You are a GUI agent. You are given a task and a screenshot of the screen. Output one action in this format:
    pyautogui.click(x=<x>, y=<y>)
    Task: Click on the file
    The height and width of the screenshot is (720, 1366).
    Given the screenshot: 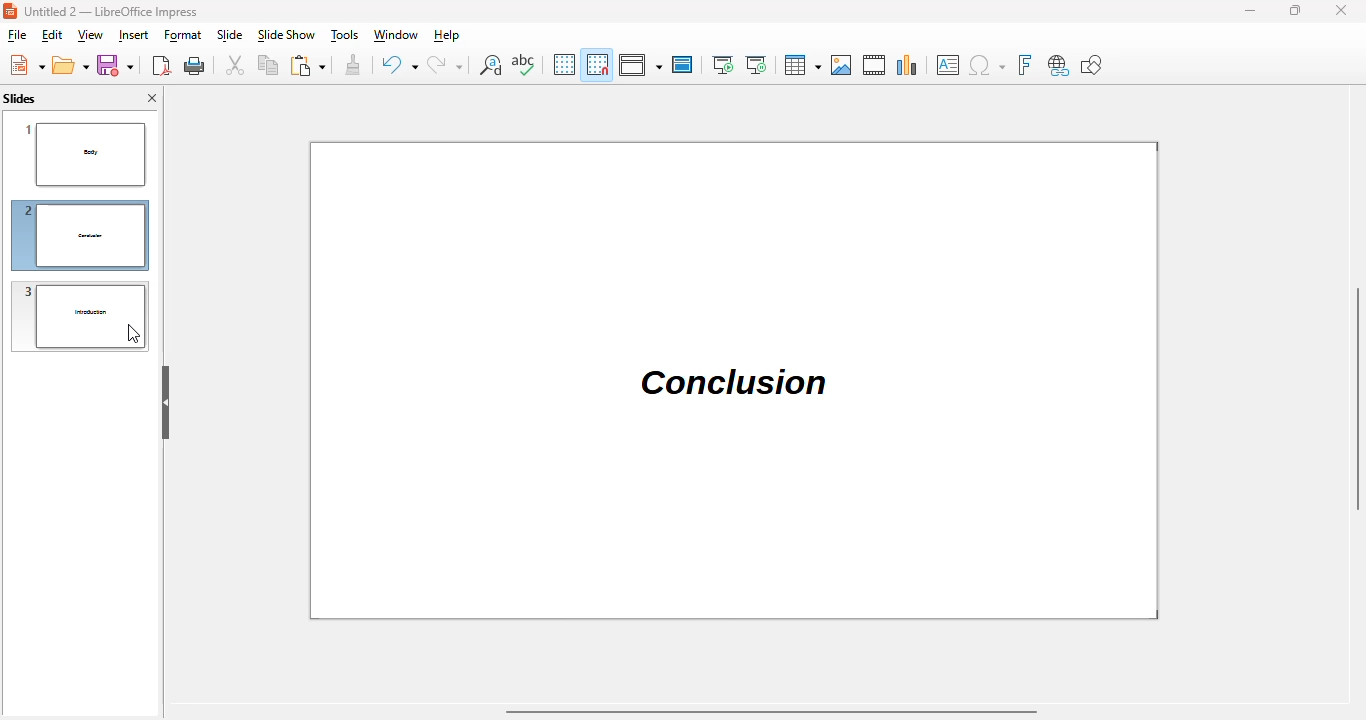 What is the action you would take?
    pyautogui.click(x=17, y=35)
    